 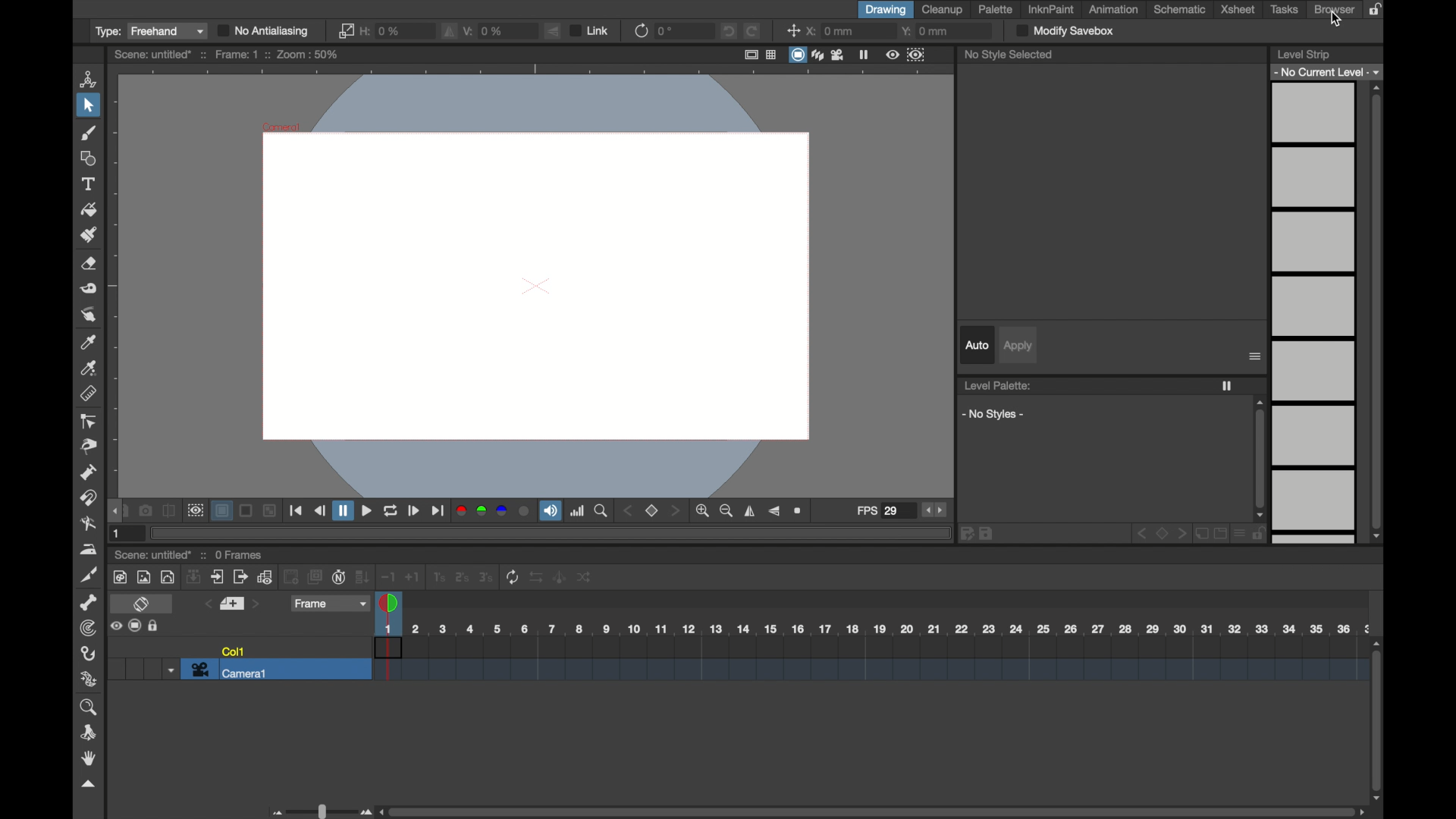 What do you see at coordinates (231, 670) in the screenshot?
I see `camera1` at bounding box center [231, 670].